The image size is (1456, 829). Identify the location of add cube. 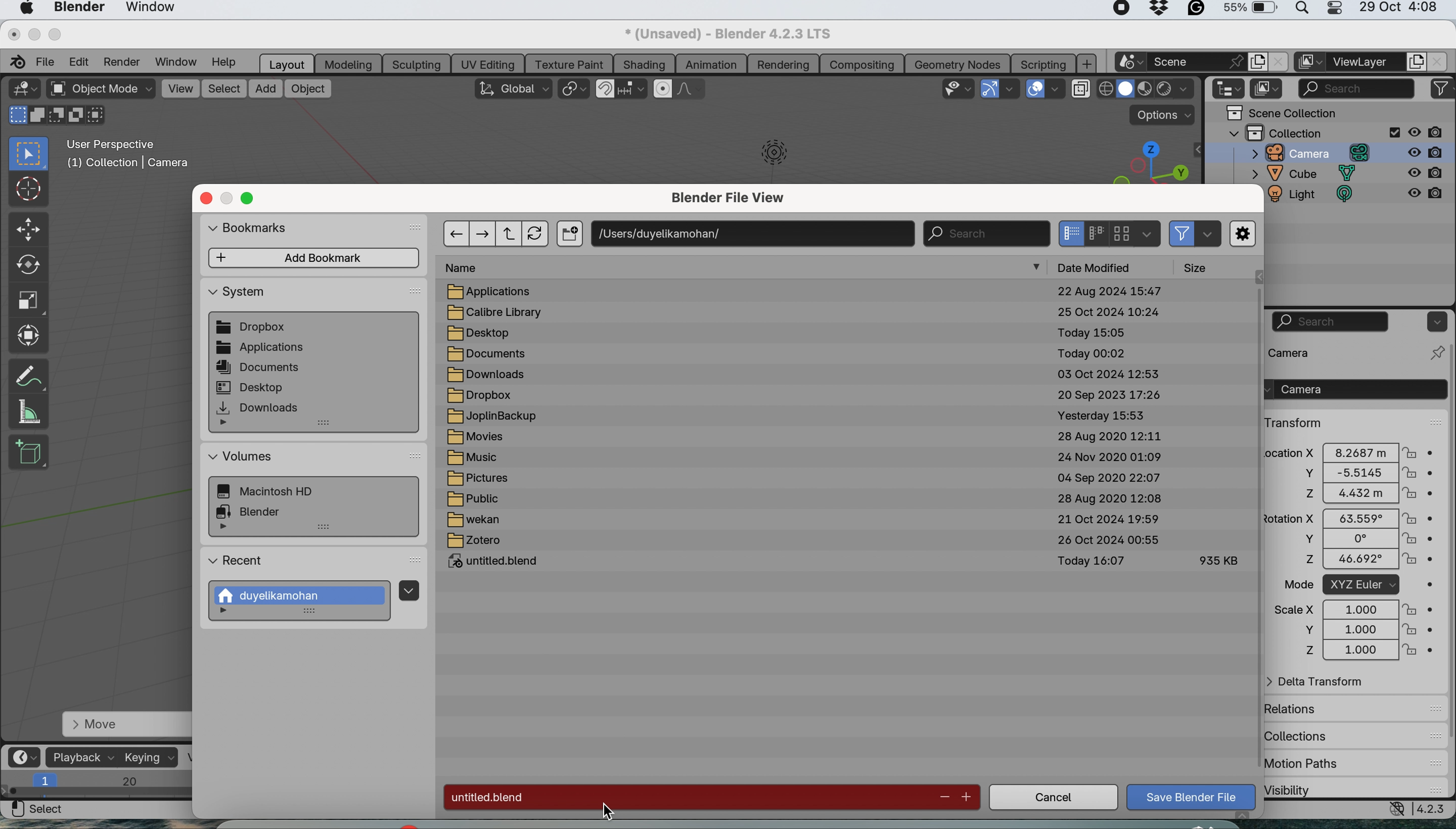
(30, 450).